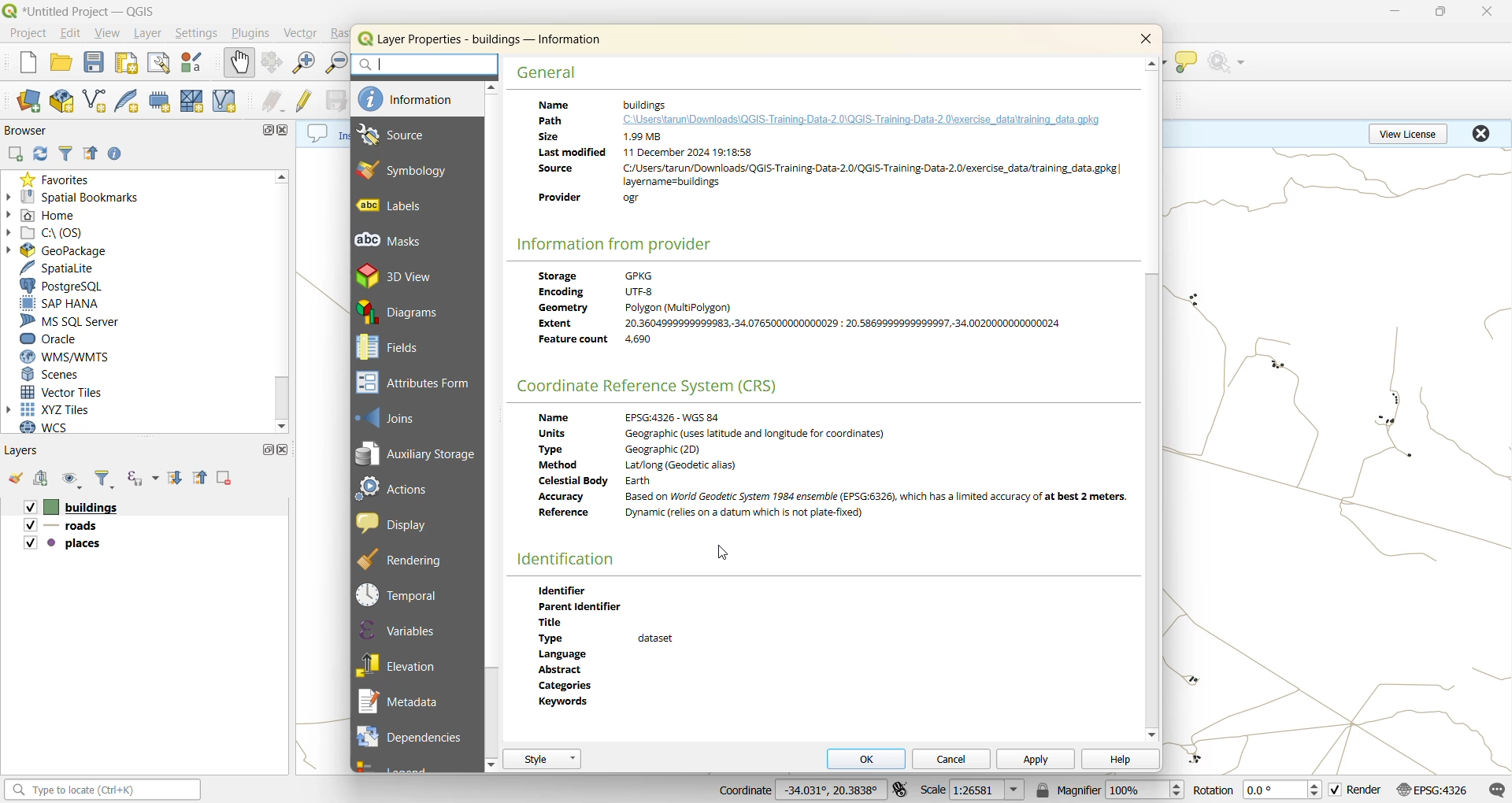 The height and width of the screenshot is (803, 1512). I want to click on oracle, so click(69, 339).